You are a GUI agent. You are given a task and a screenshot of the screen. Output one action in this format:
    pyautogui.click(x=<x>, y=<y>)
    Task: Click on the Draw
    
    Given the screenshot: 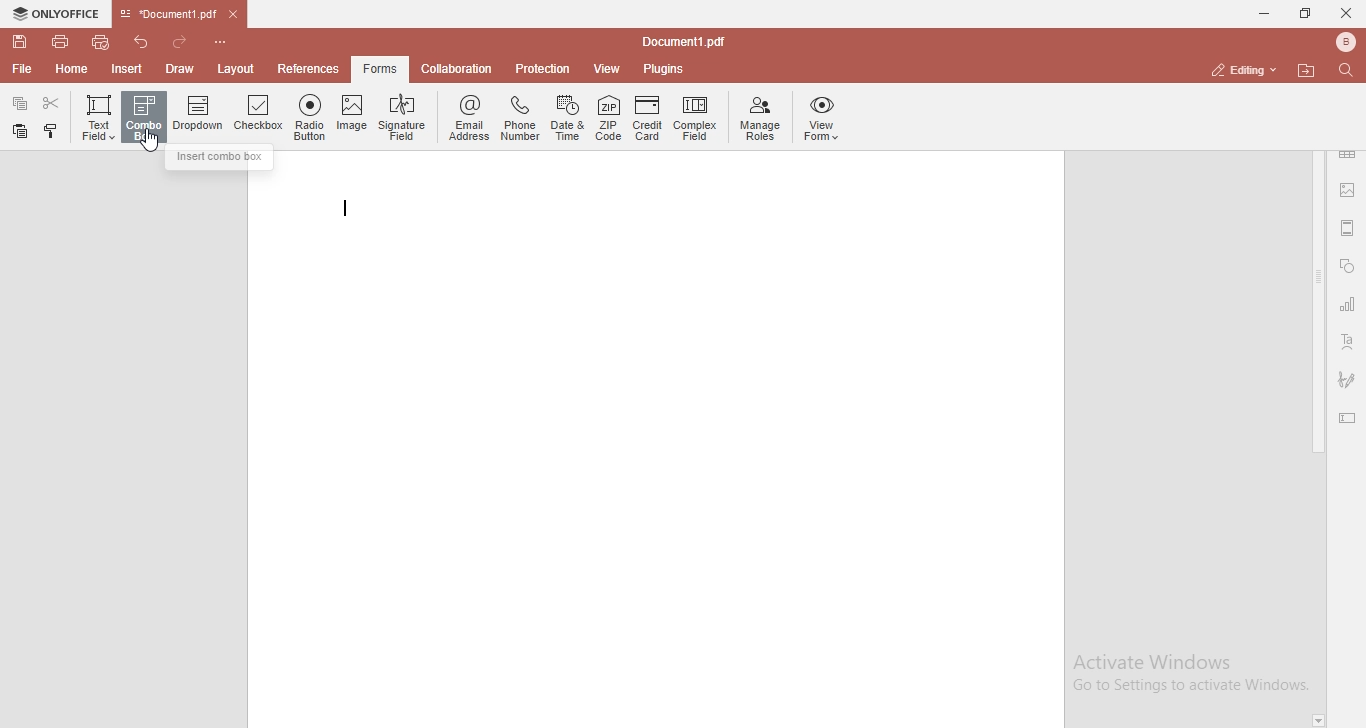 What is the action you would take?
    pyautogui.click(x=184, y=68)
    